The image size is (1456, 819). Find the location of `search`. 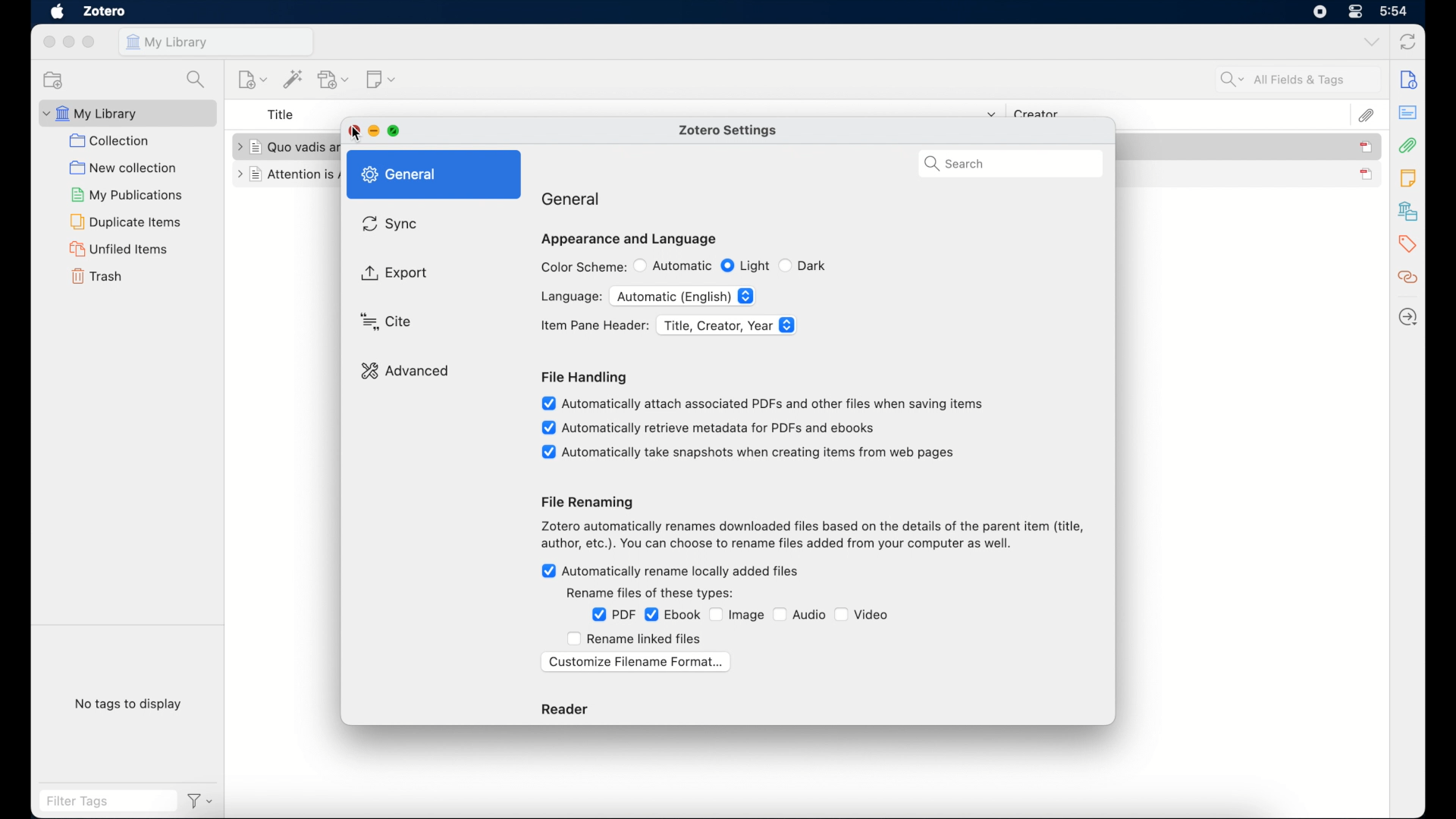

search is located at coordinates (1010, 164).